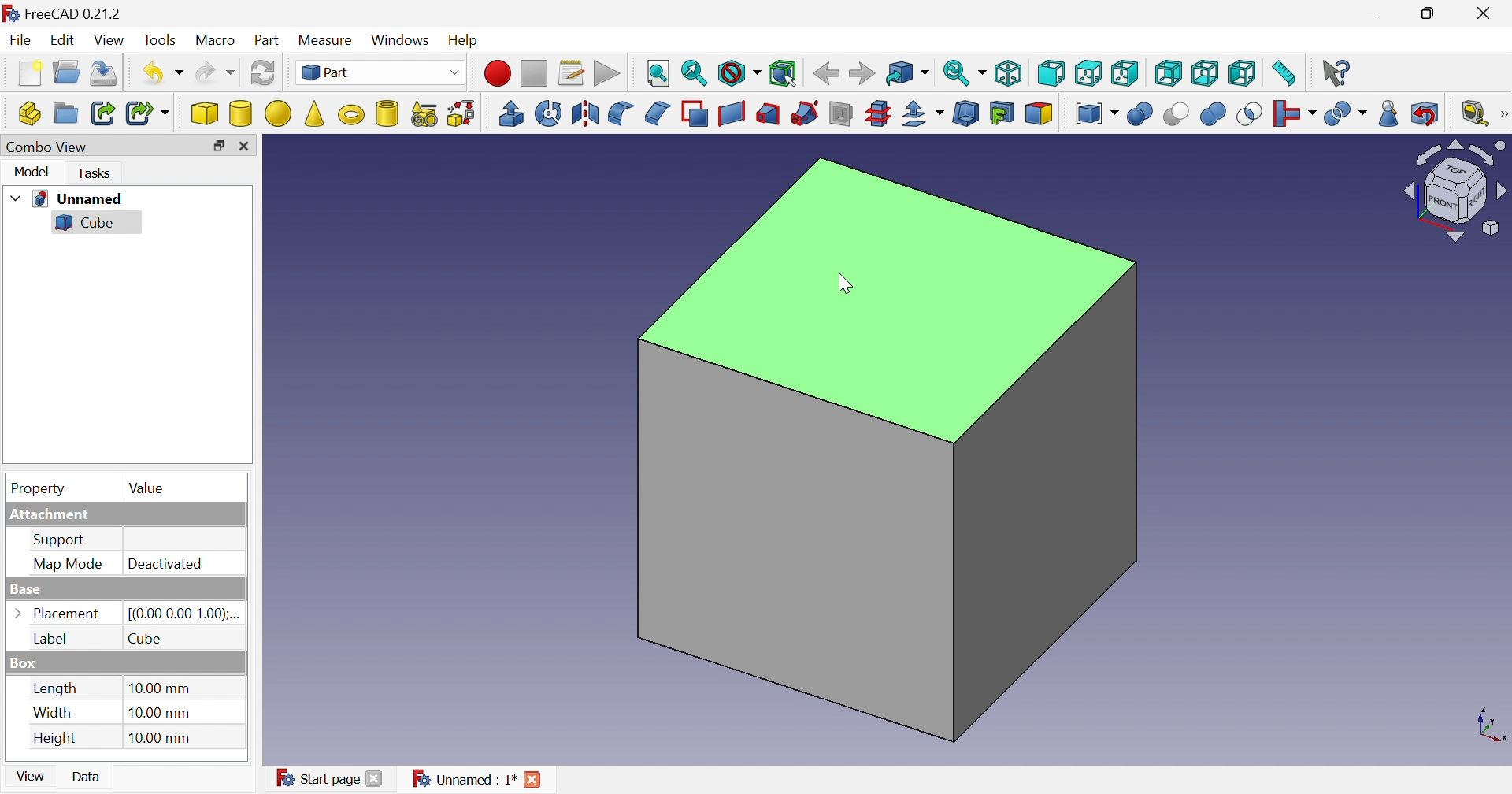  Describe the element at coordinates (39, 488) in the screenshot. I see `Property` at that location.